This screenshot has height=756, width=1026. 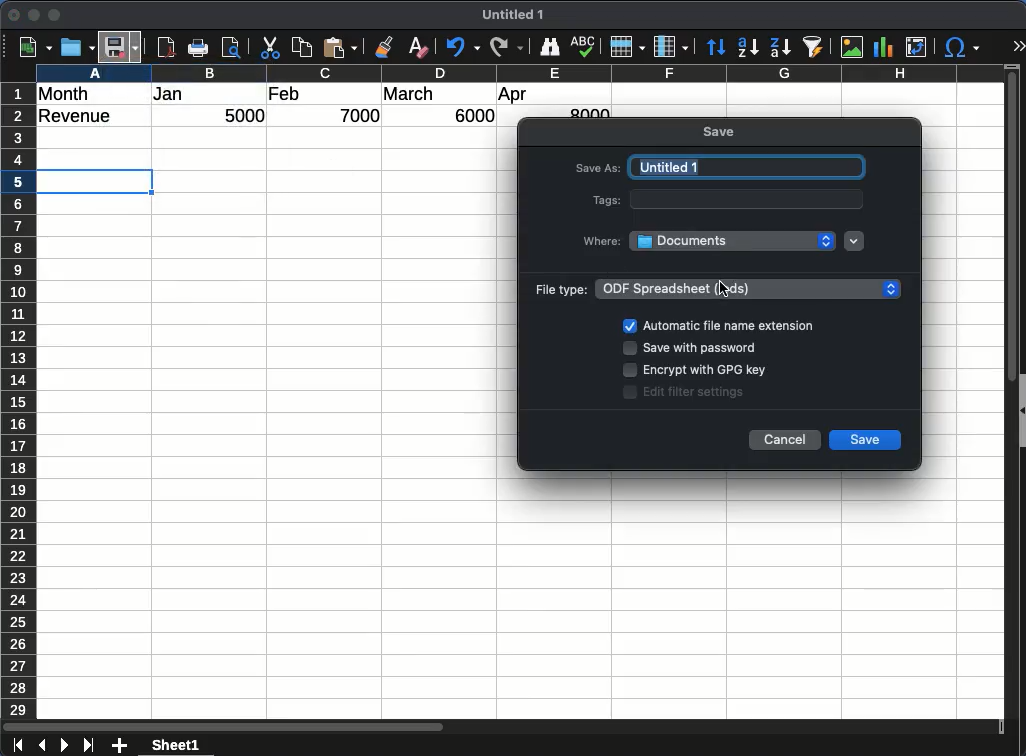 I want to click on last sheet, so click(x=88, y=746).